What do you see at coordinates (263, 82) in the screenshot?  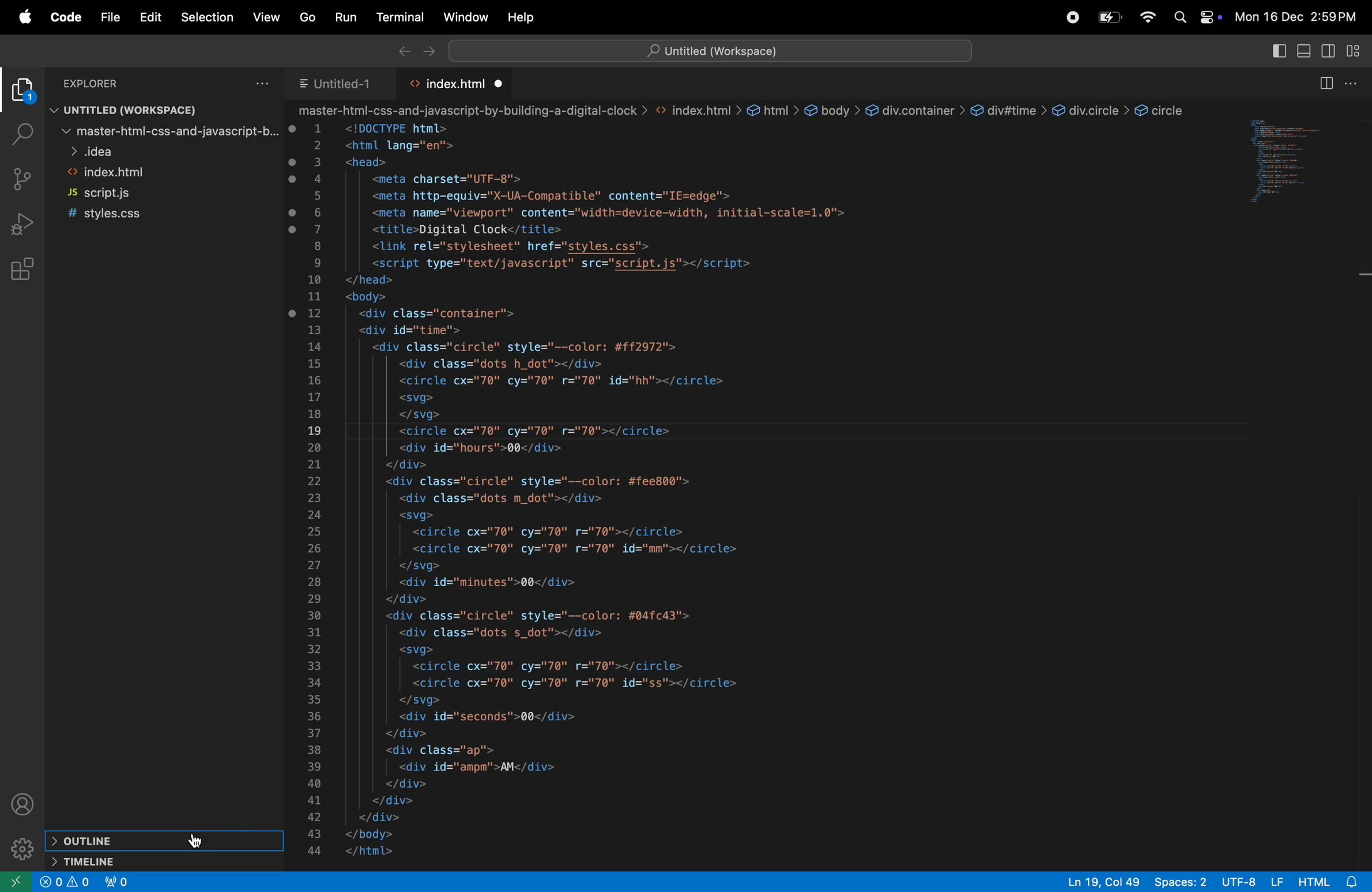 I see `options` at bounding box center [263, 82].